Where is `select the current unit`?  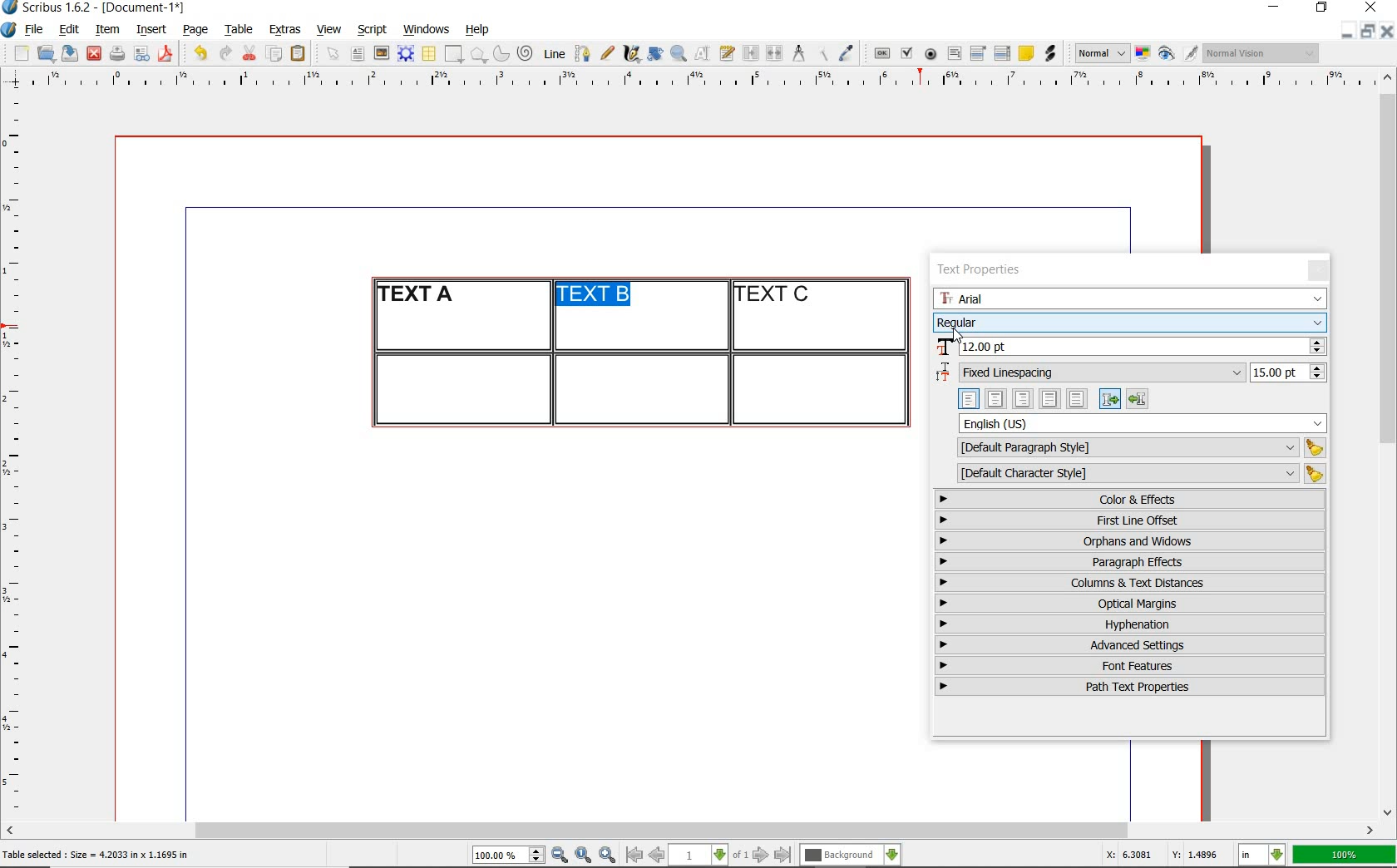
select the current unit is located at coordinates (1262, 856).